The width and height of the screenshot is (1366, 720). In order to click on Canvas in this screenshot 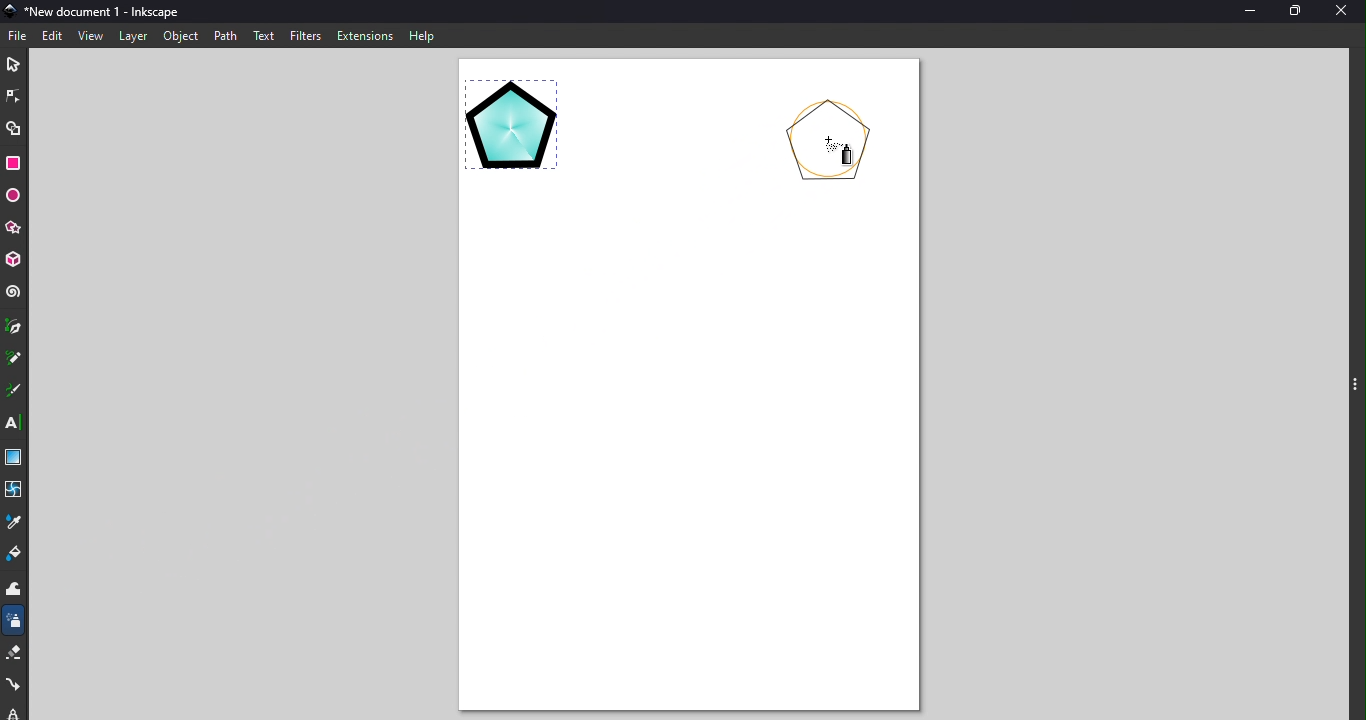, I will do `click(685, 390)`.